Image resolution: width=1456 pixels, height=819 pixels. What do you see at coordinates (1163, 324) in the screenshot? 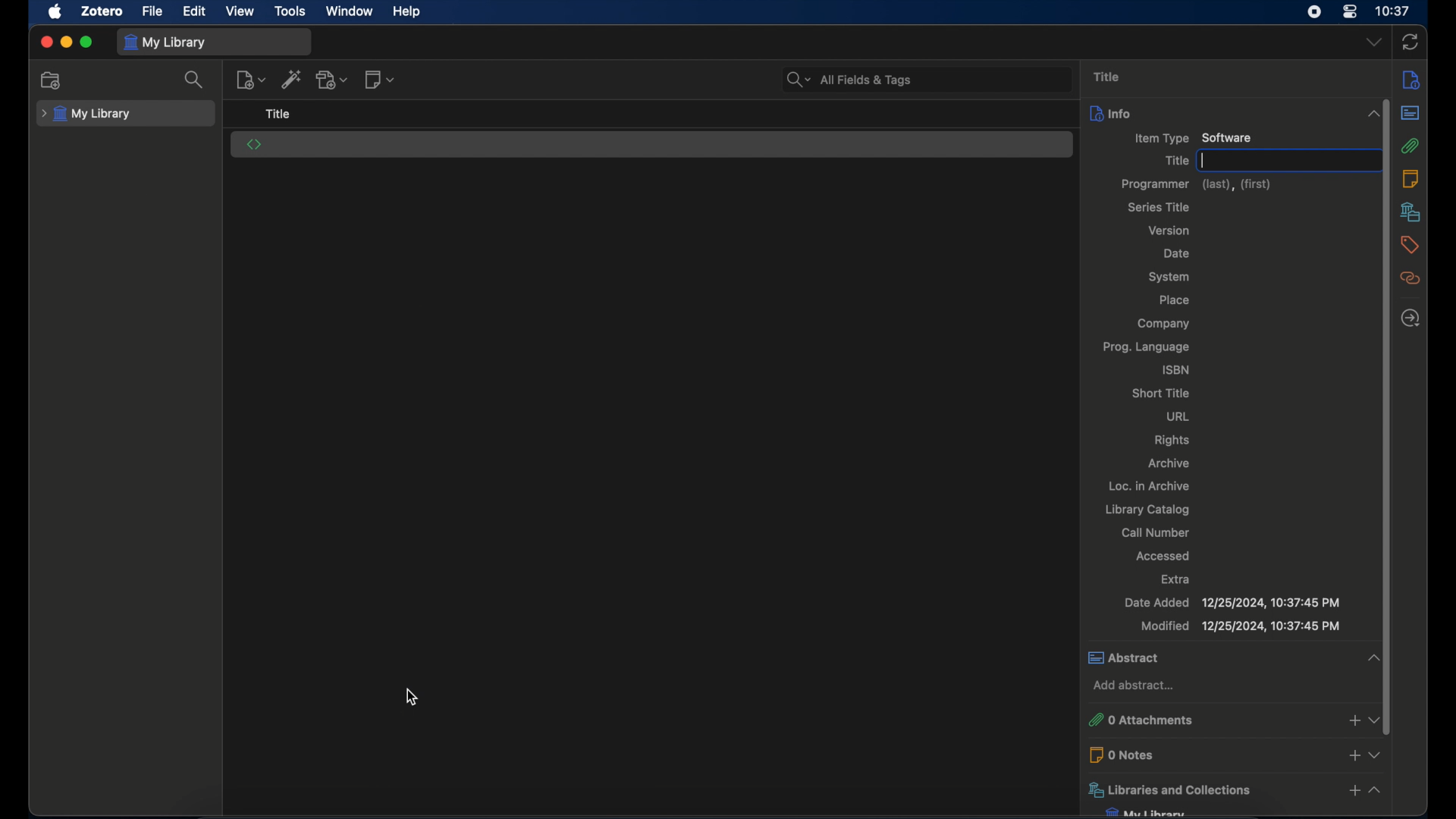
I see `company` at bounding box center [1163, 324].